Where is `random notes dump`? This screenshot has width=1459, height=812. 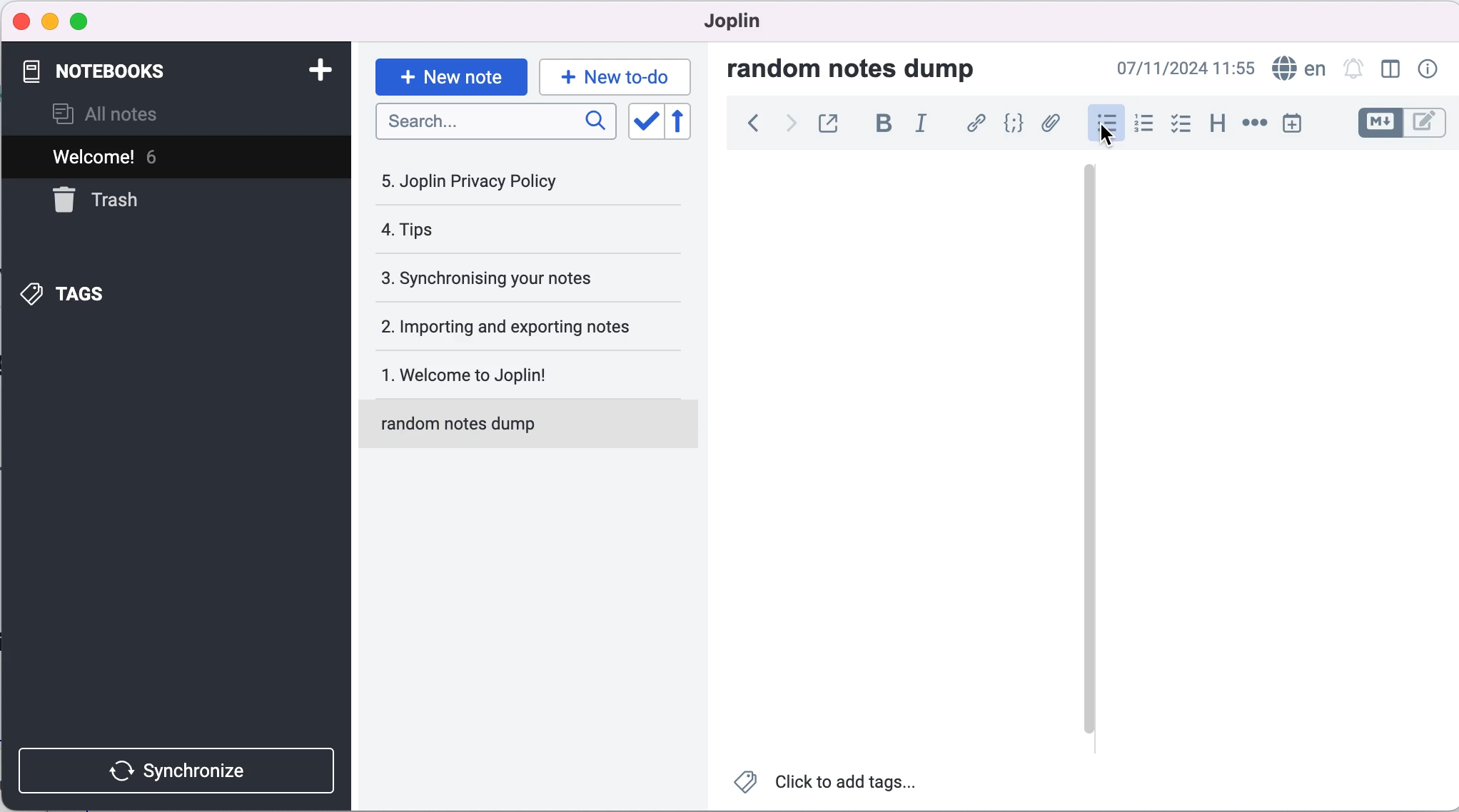 random notes dump is located at coordinates (535, 430).